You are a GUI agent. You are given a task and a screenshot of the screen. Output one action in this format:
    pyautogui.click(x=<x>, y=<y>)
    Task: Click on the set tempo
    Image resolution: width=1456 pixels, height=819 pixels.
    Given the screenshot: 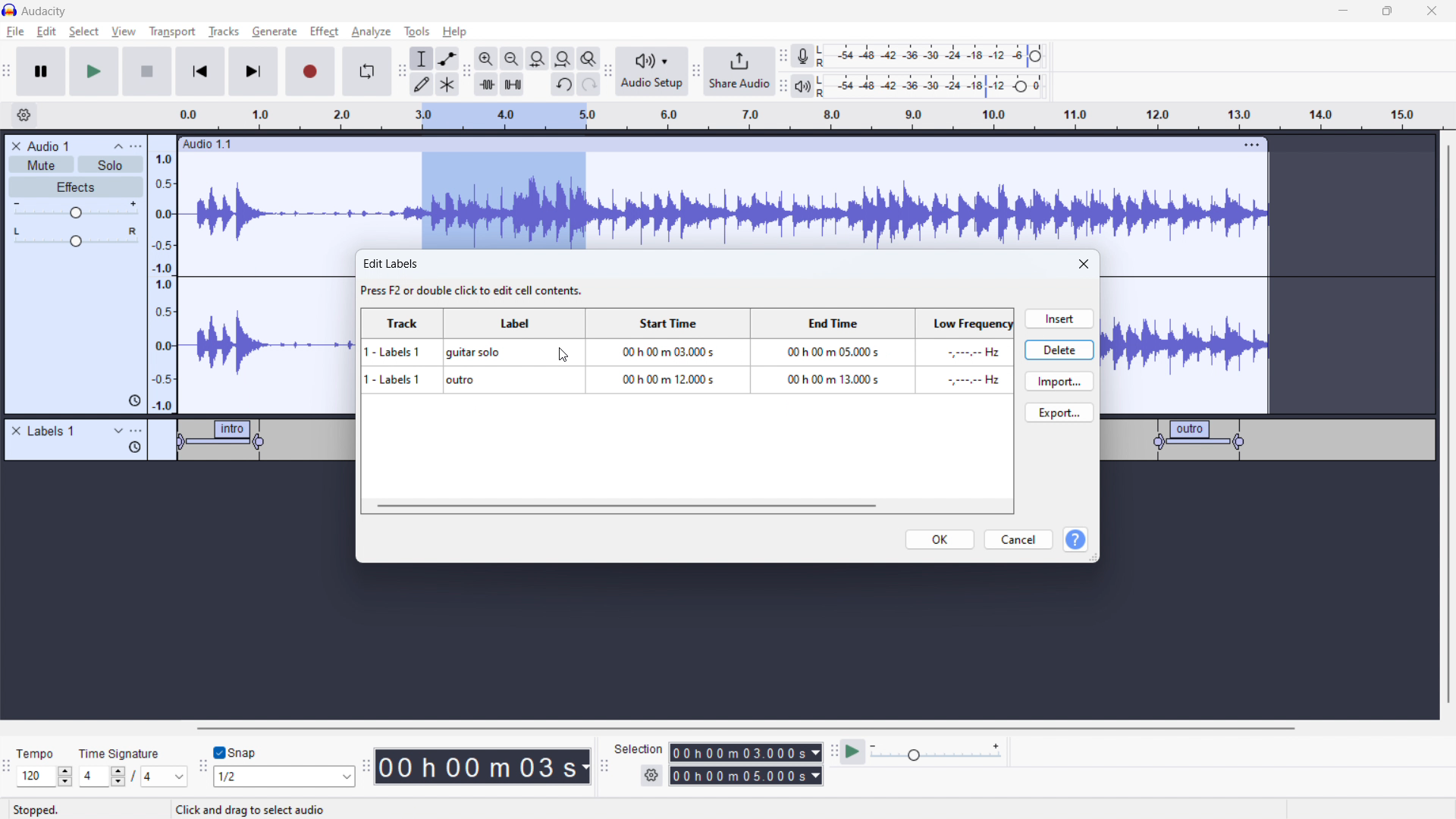 What is the action you would take?
    pyautogui.click(x=47, y=777)
    